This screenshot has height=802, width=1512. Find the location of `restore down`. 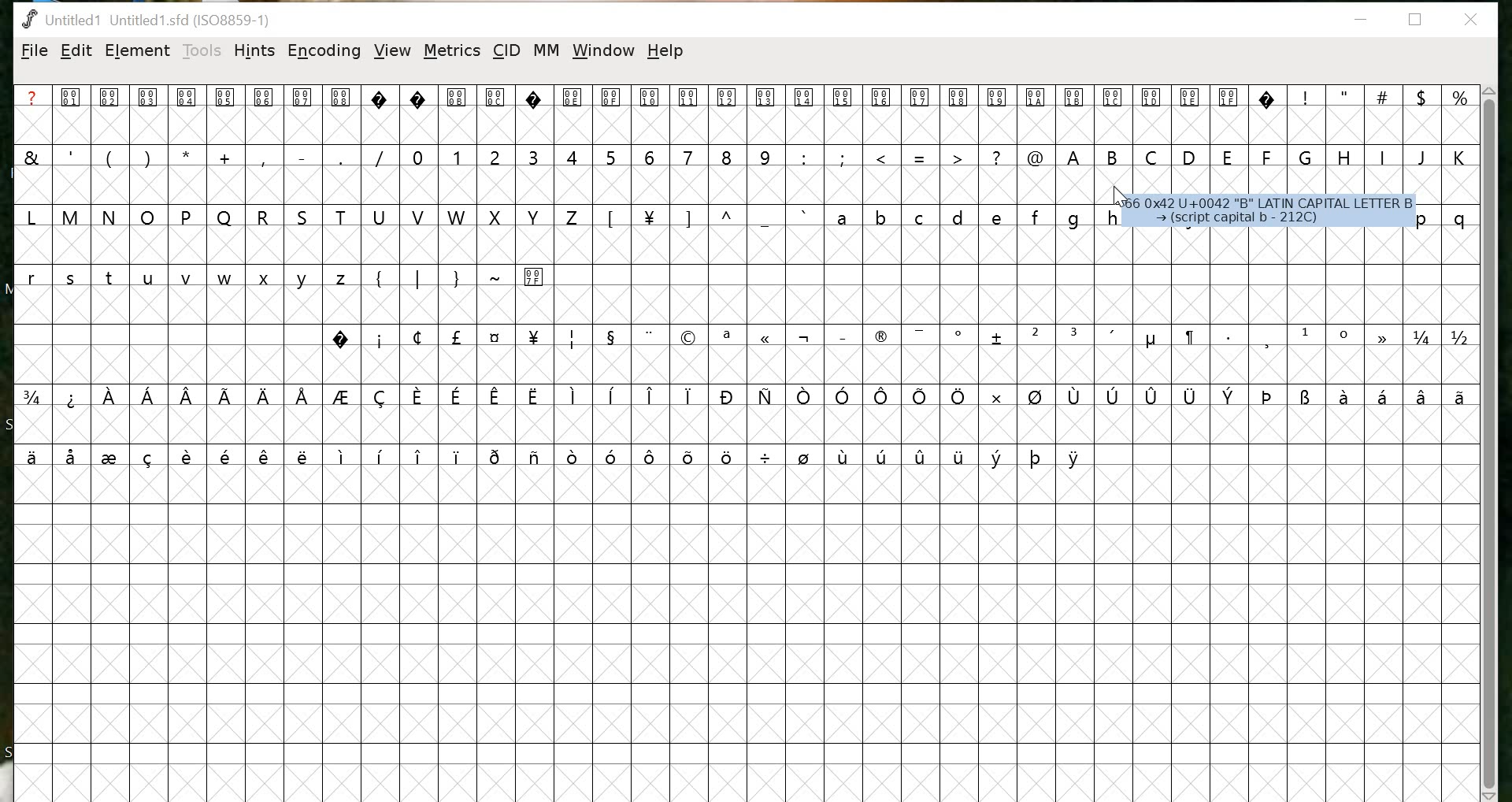

restore down is located at coordinates (1416, 20).